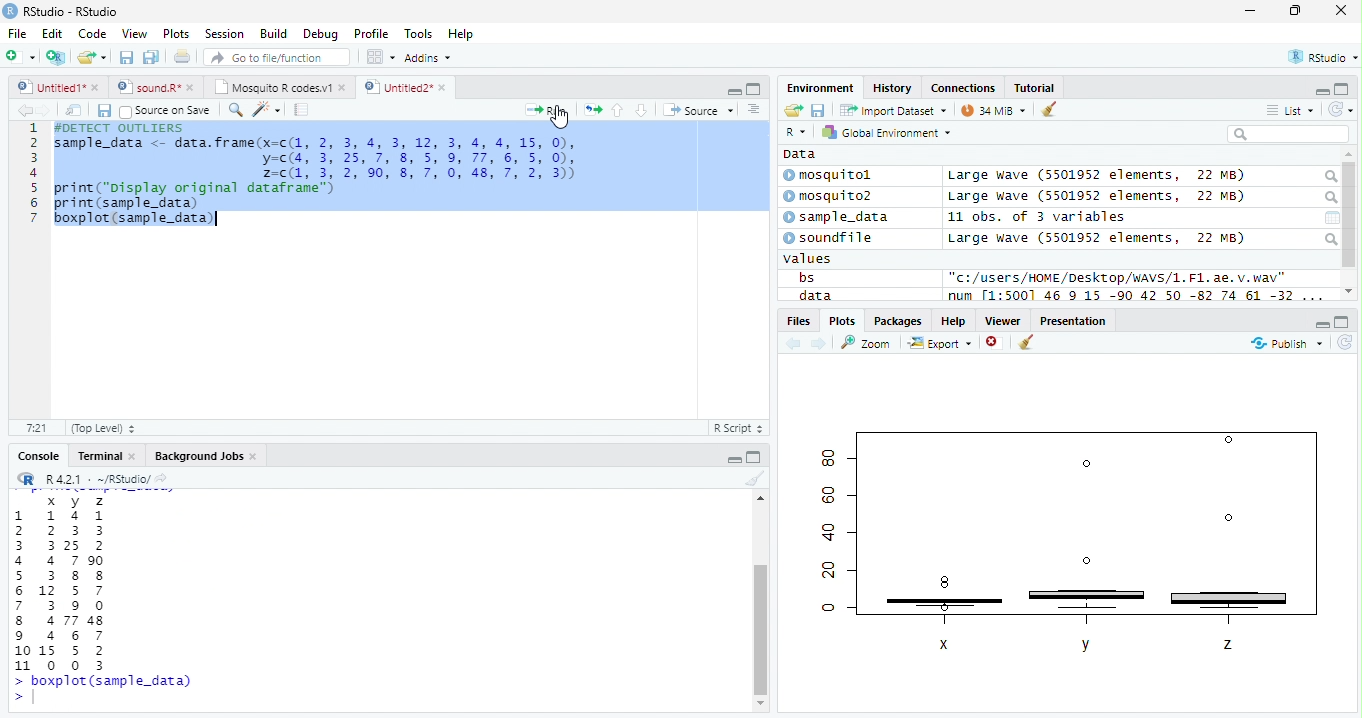 The image size is (1362, 718). Describe the element at coordinates (841, 321) in the screenshot. I see `Plots` at that location.